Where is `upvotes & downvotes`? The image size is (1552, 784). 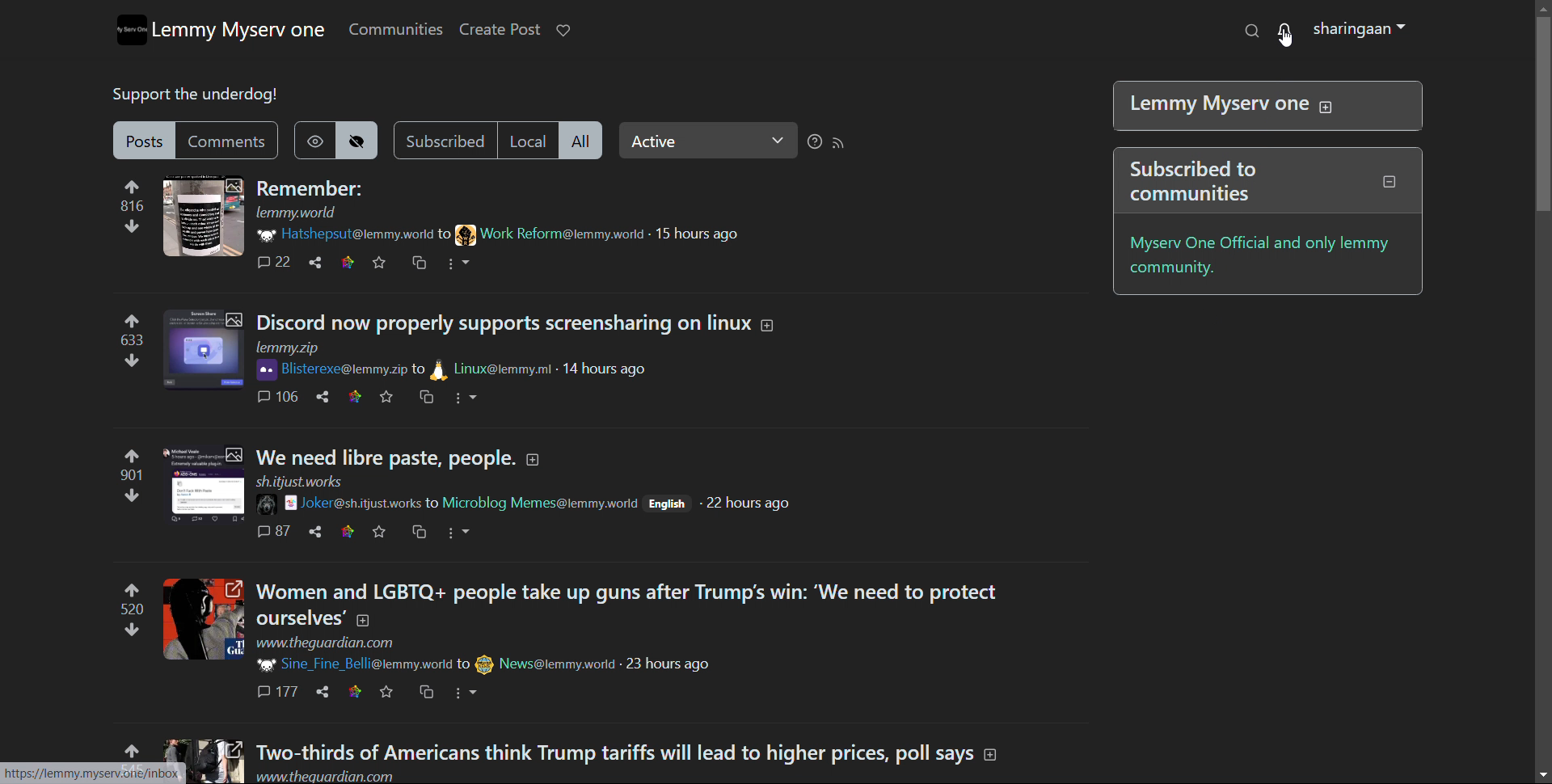
upvotes & downvotes is located at coordinates (129, 476).